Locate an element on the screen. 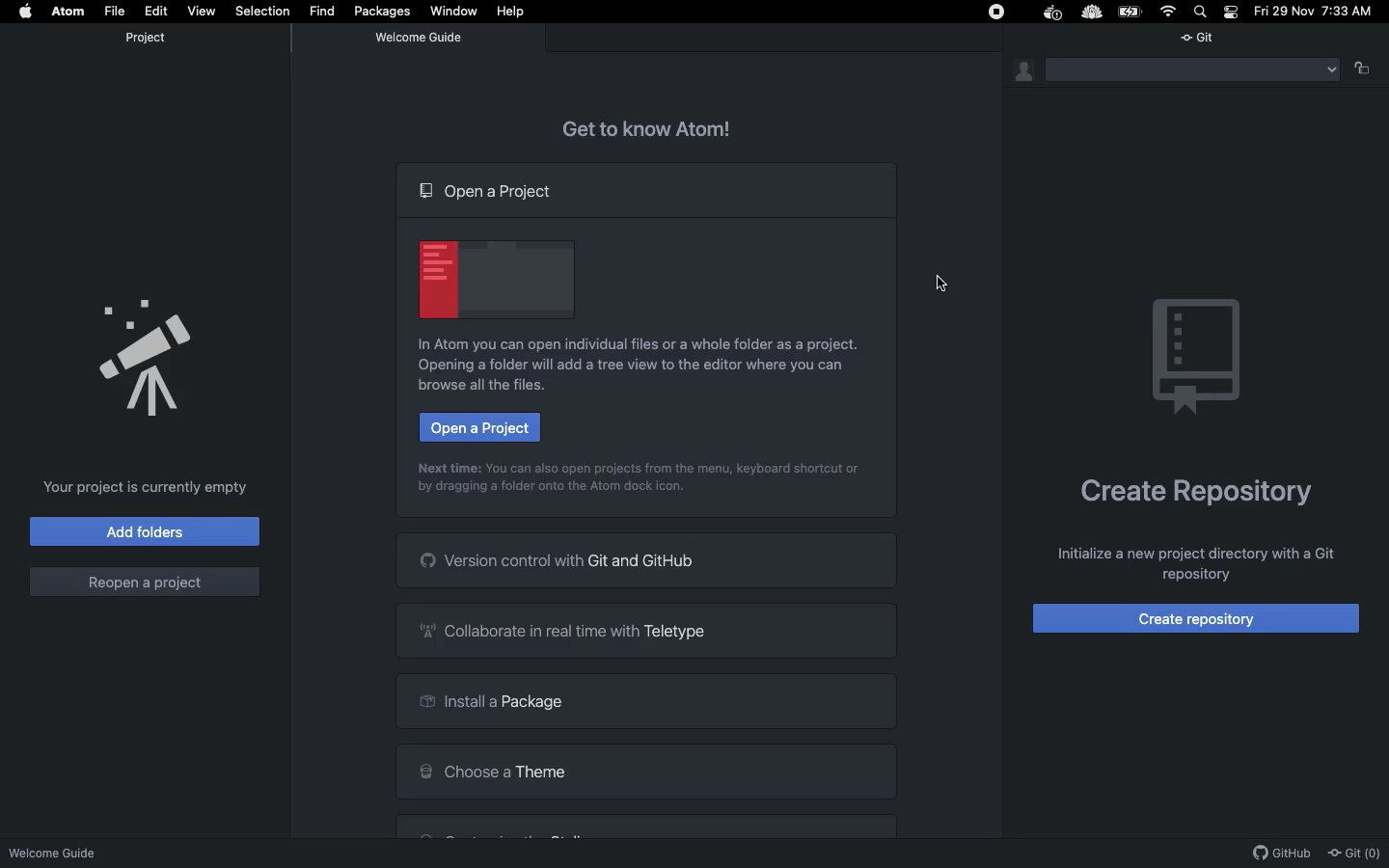 The height and width of the screenshot is (868, 1389). In Atom you can open individual files or a whole folder as a project.
Opening a folder will add a tree view to the editor where you can
browse all the files. is located at coordinates (642, 366).